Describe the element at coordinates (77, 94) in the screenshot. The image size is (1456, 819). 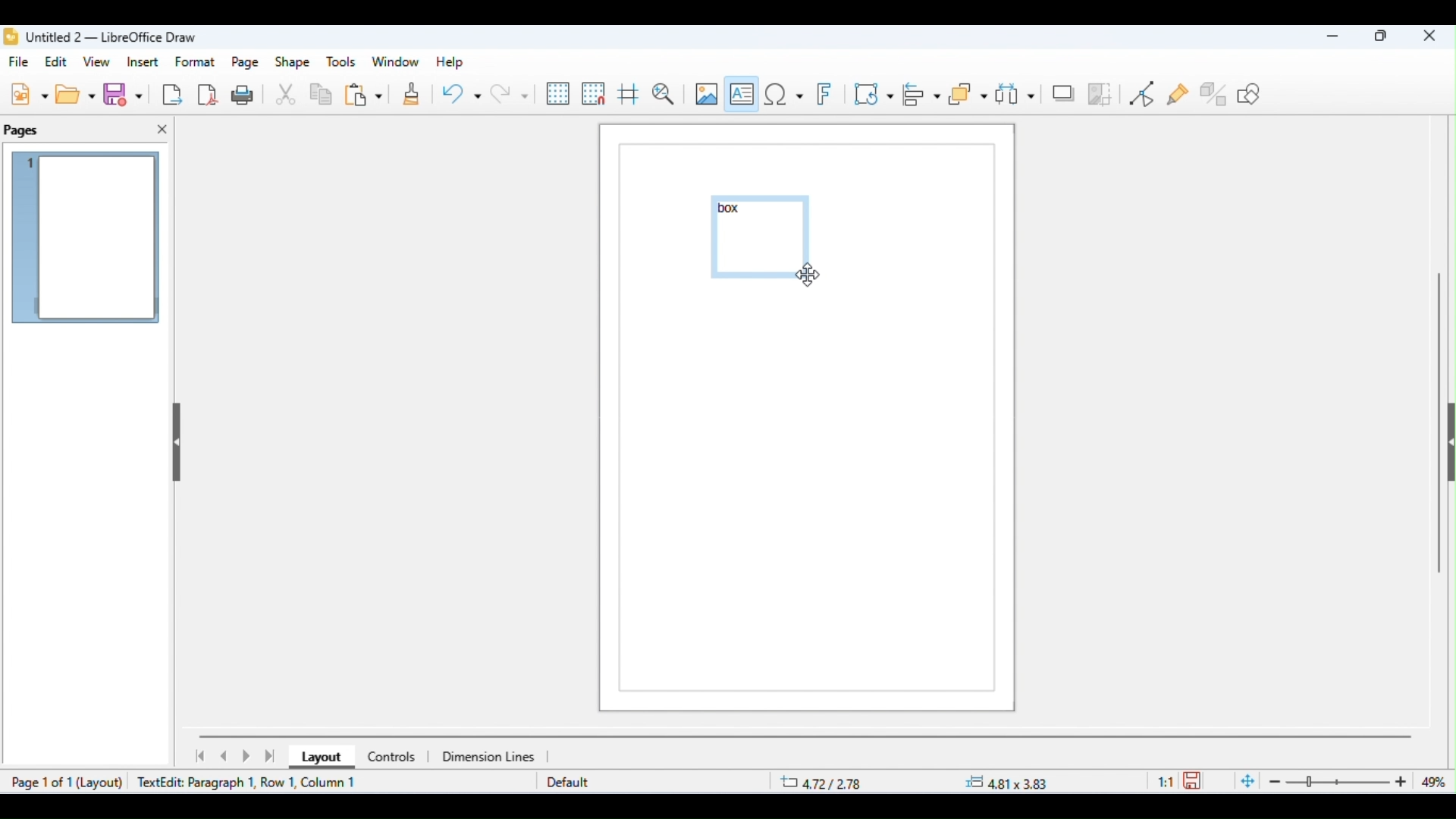
I see `open` at that location.